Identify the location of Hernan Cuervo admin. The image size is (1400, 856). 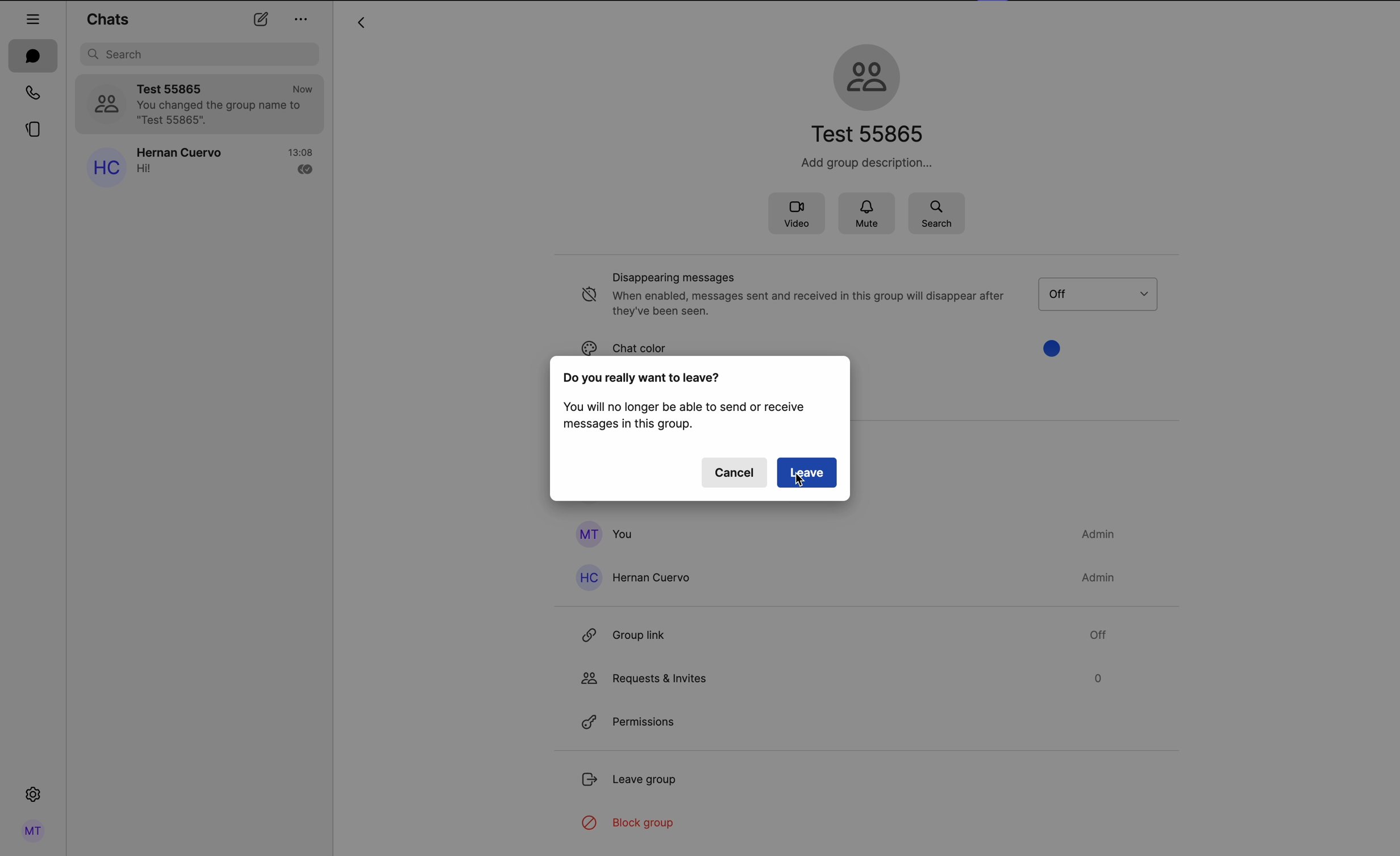
(849, 577).